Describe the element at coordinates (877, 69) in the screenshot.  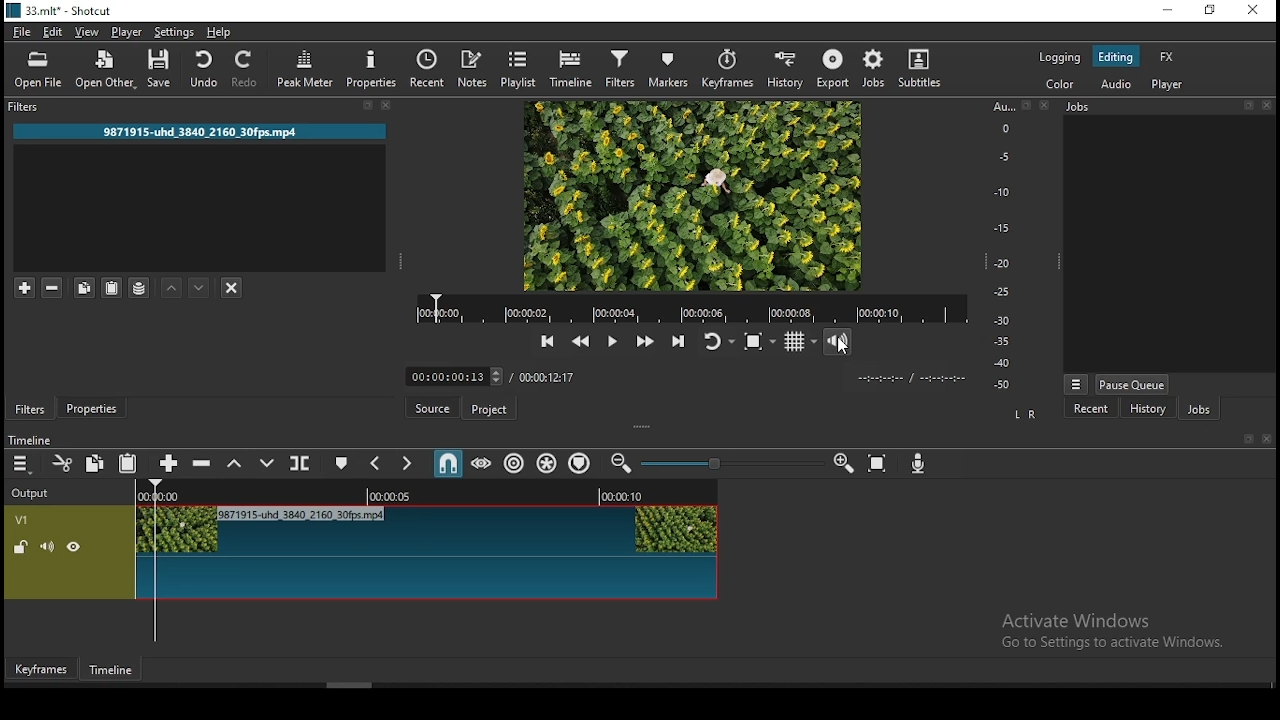
I see `jobs` at that location.